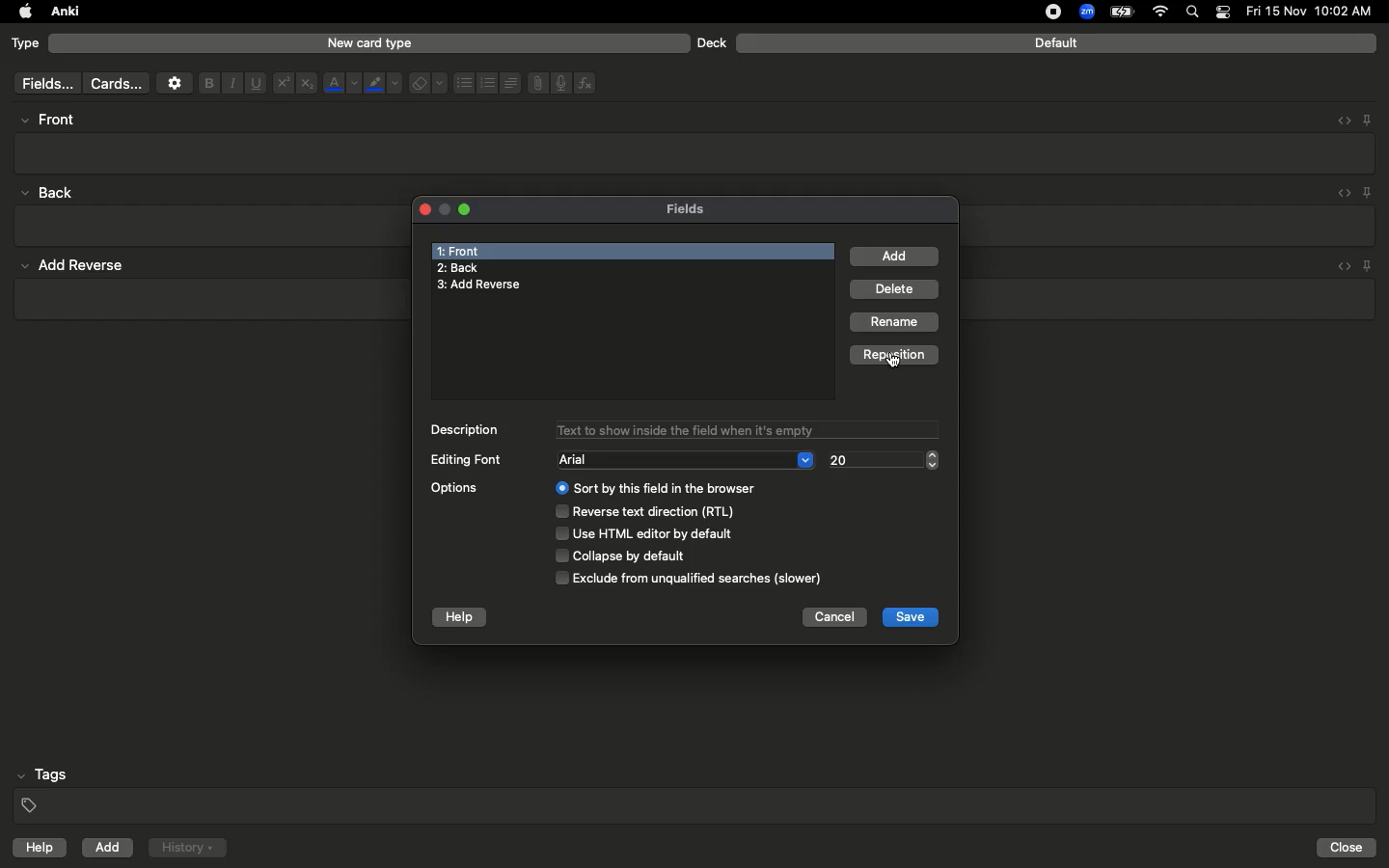  Describe the element at coordinates (20, 12) in the screenshot. I see `apple logo` at that location.